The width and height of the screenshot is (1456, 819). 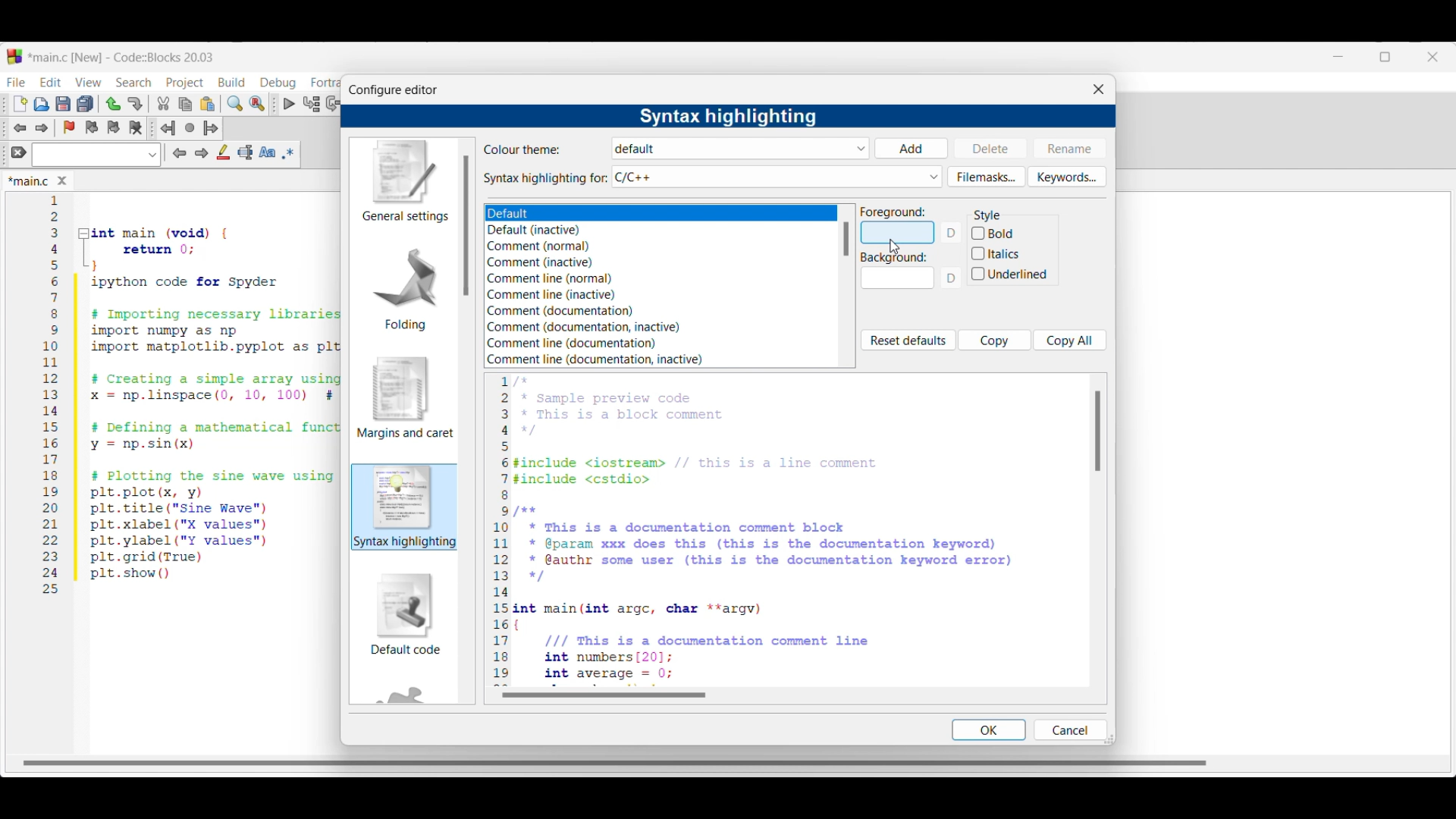 What do you see at coordinates (405, 288) in the screenshot?
I see `Folding` at bounding box center [405, 288].